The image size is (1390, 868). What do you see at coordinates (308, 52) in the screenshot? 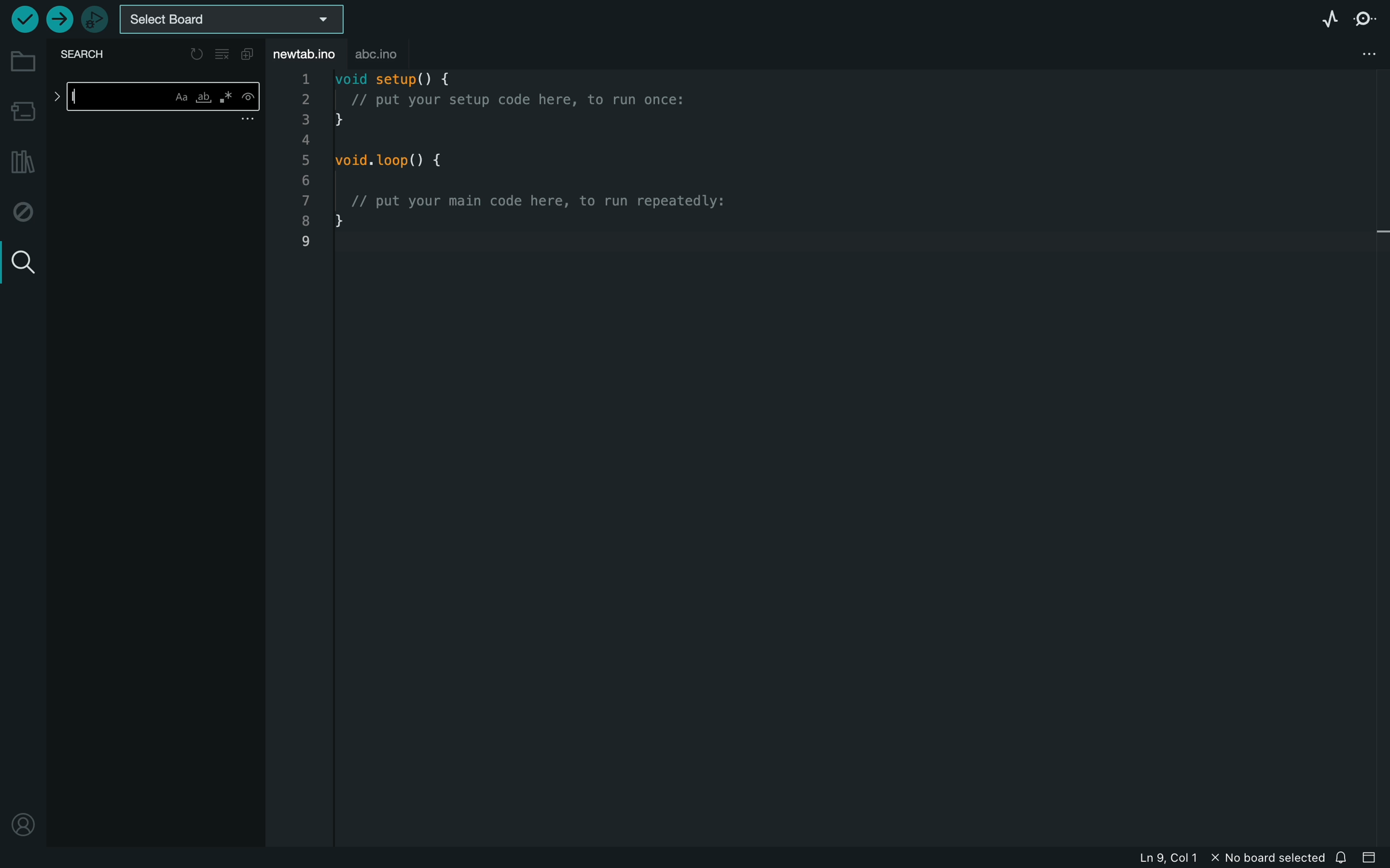
I see `file tab` at bounding box center [308, 52].